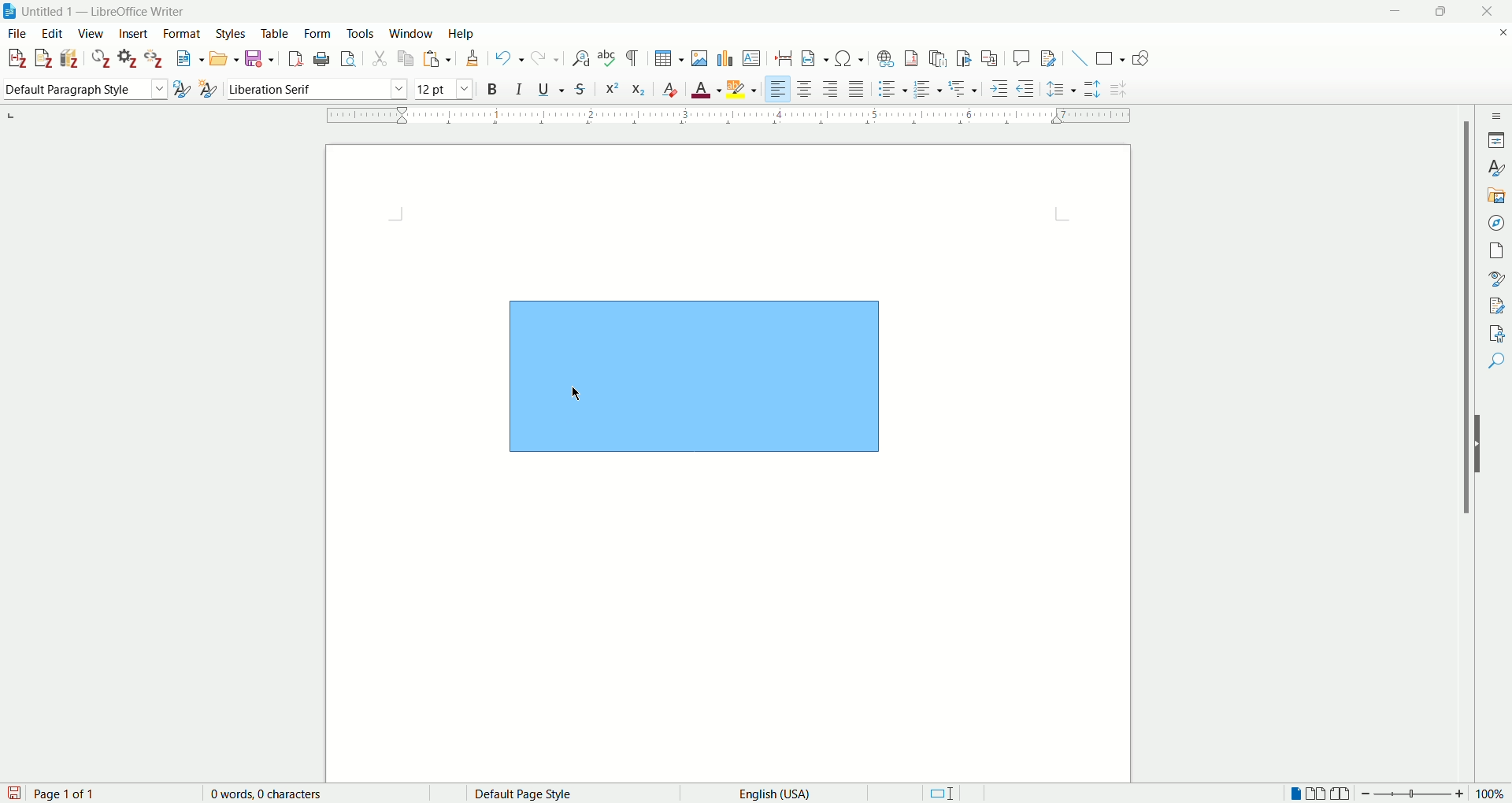 Image resolution: width=1512 pixels, height=803 pixels. What do you see at coordinates (632, 58) in the screenshot?
I see `toggle formatting` at bounding box center [632, 58].